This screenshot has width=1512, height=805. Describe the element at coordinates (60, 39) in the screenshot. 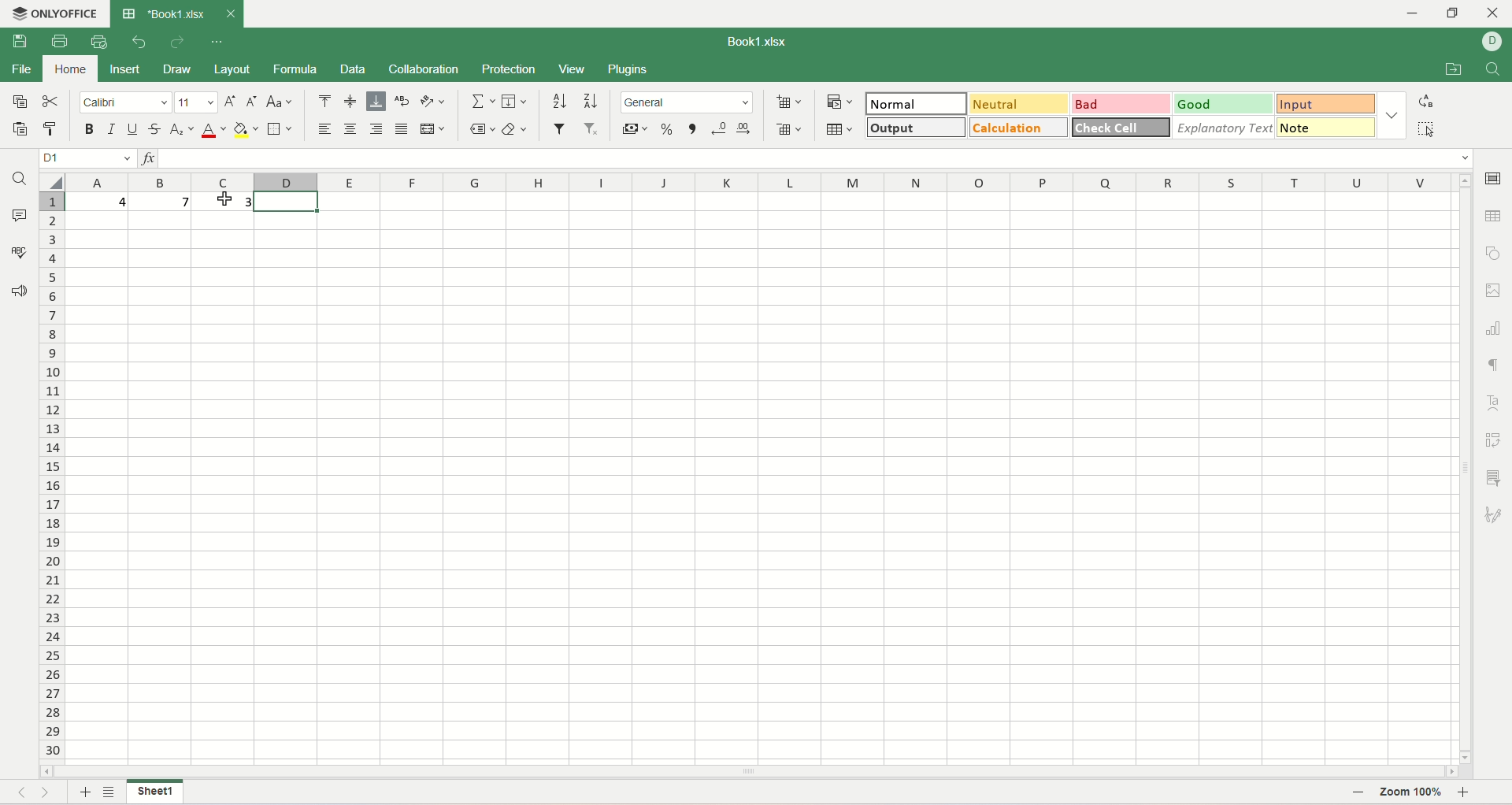

I see `print` at that location.